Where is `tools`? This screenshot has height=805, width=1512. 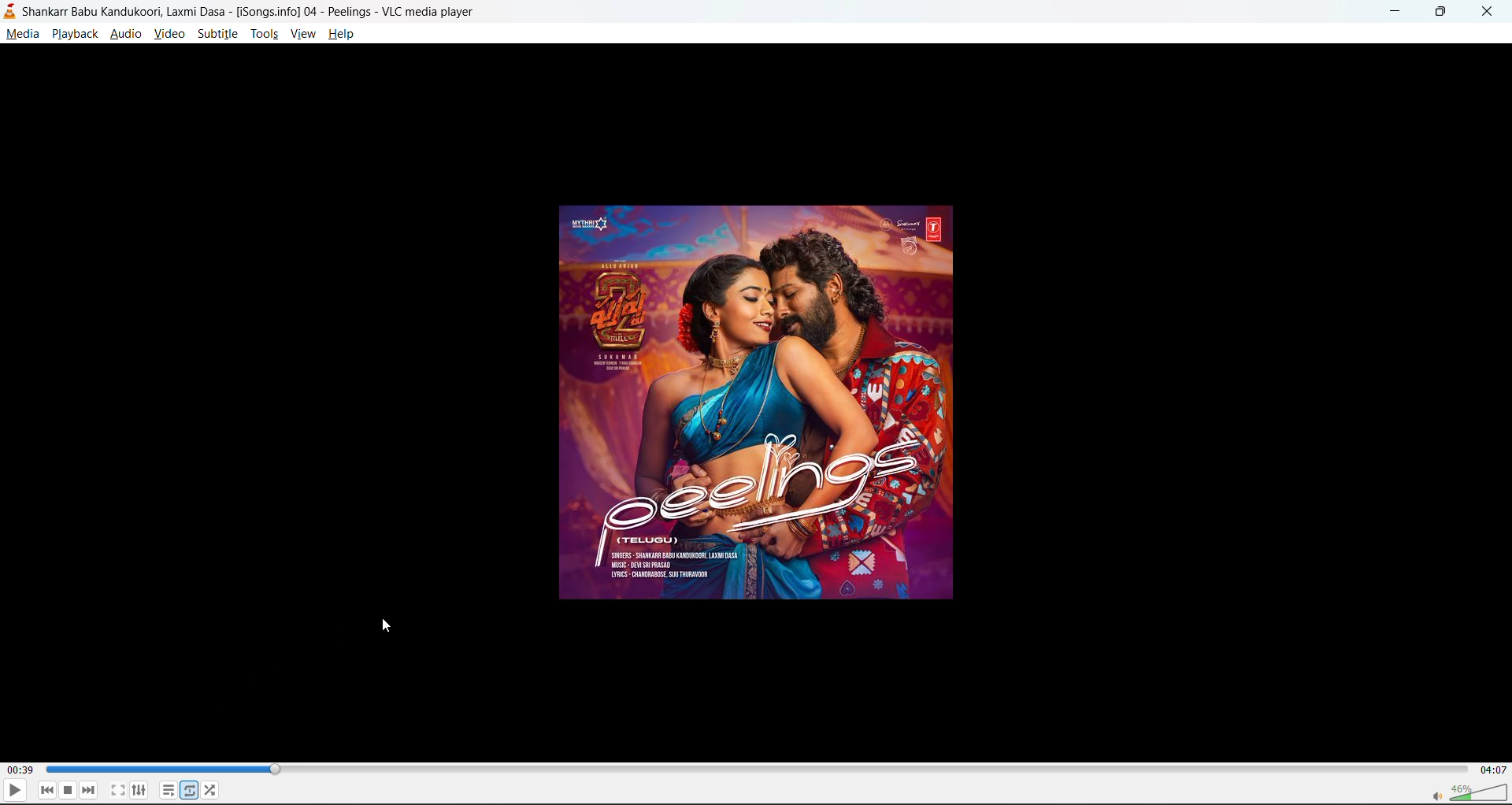
tools is located at coordinates (267, 35).